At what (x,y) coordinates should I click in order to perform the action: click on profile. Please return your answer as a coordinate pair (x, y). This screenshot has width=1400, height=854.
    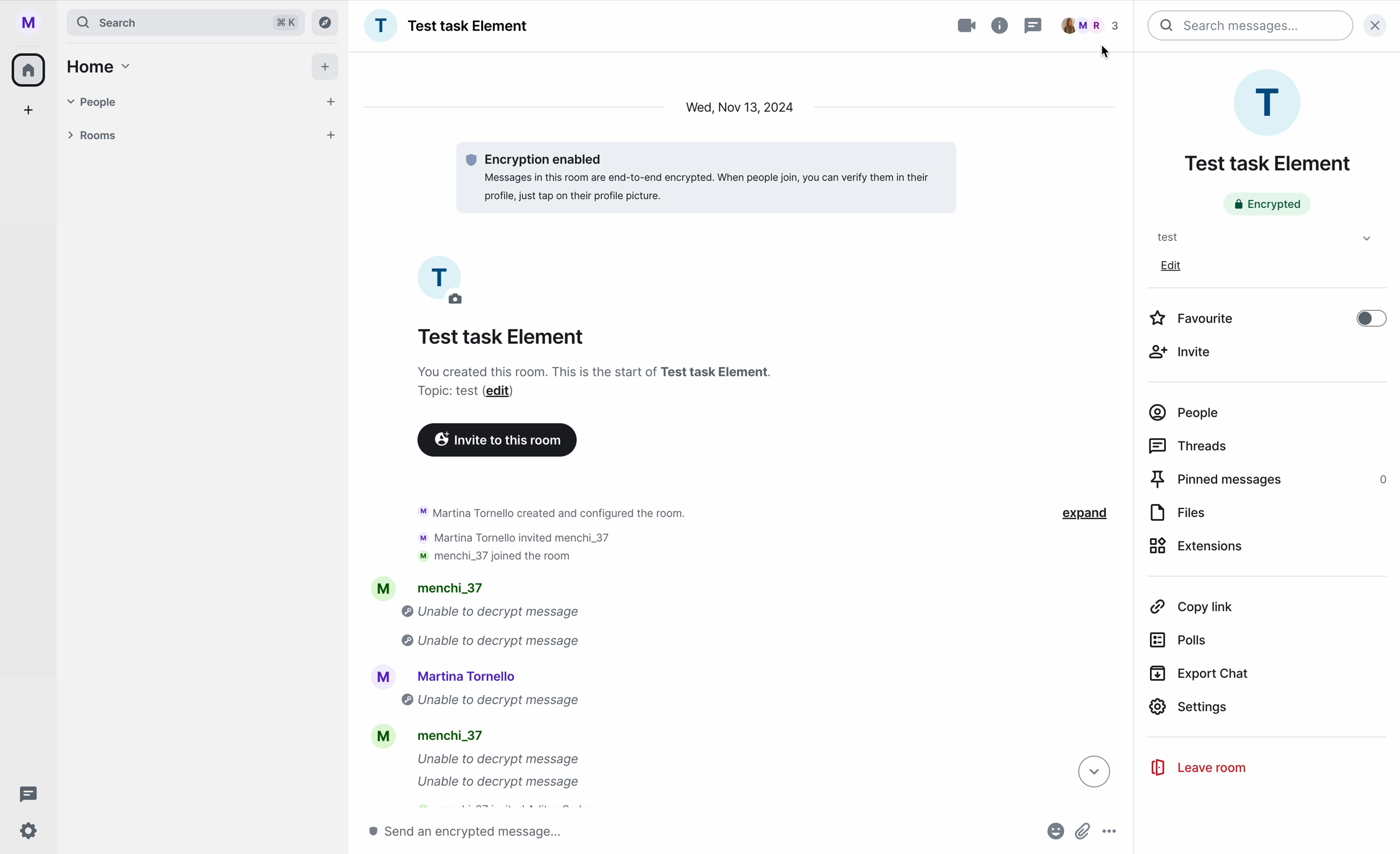
    Looking at the image, I should click on (26, 21).